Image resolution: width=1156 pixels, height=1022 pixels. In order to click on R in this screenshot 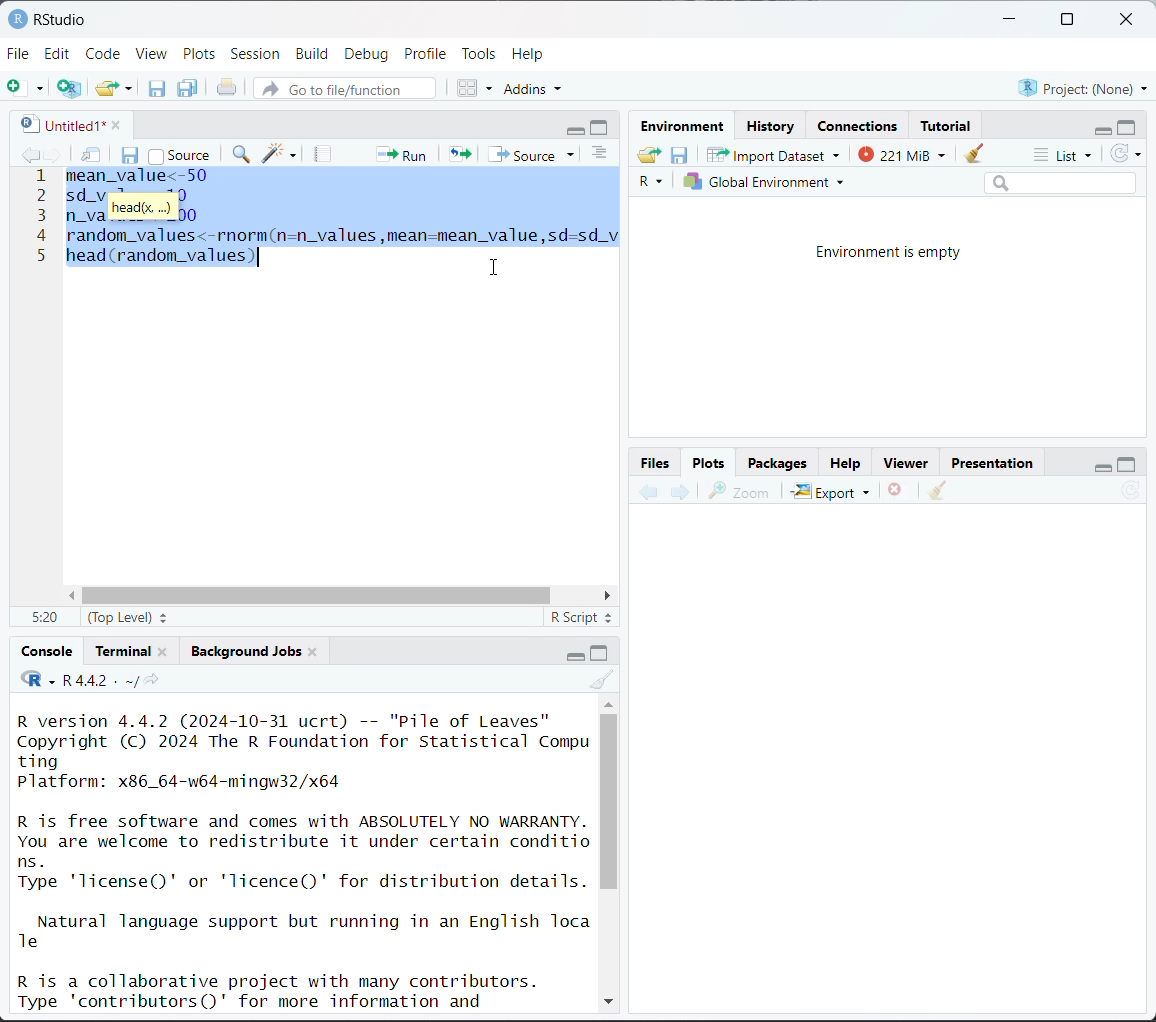, I will do `click(654, 183)`.